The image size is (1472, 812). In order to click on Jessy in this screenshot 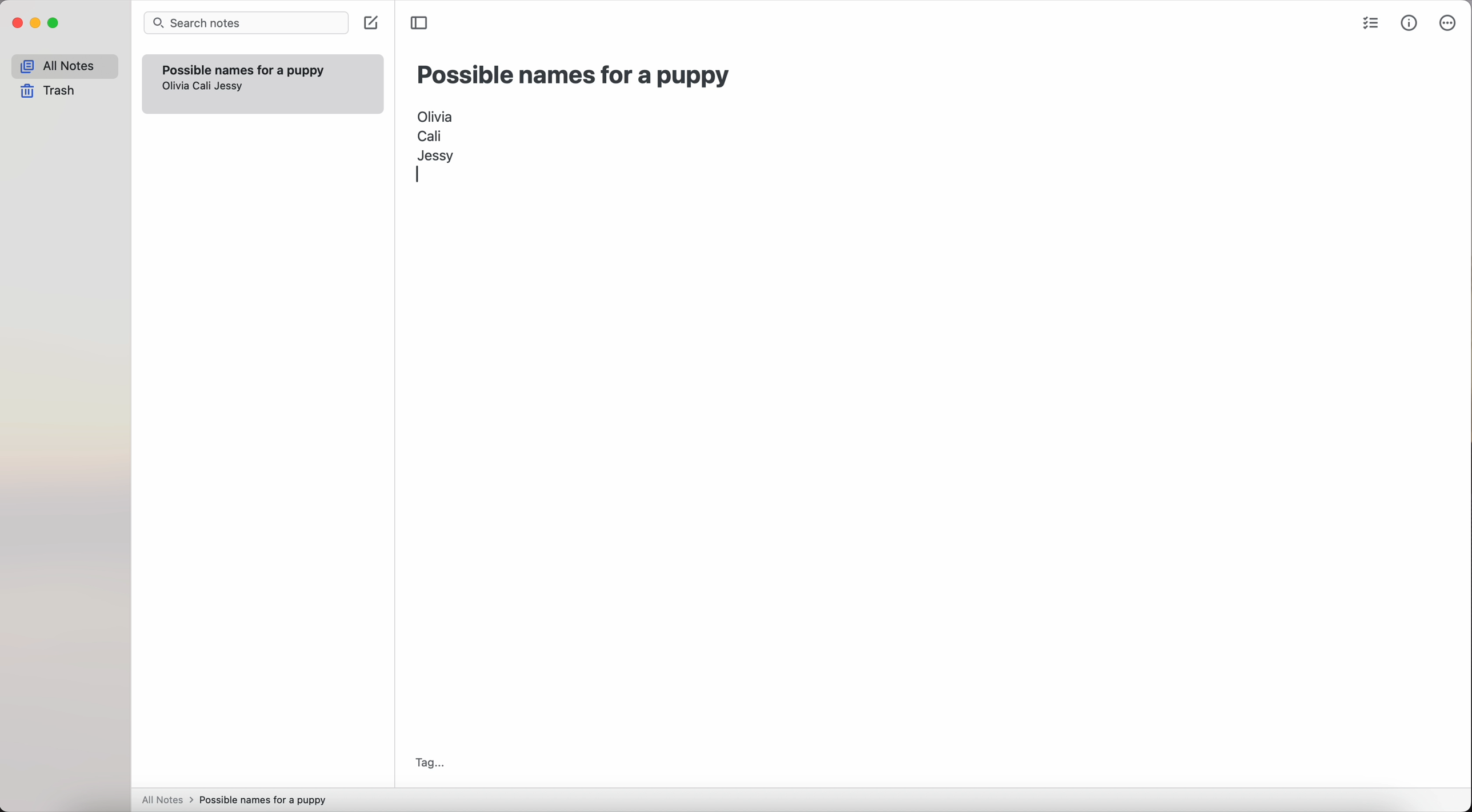, I will do `click(232, 86)`.